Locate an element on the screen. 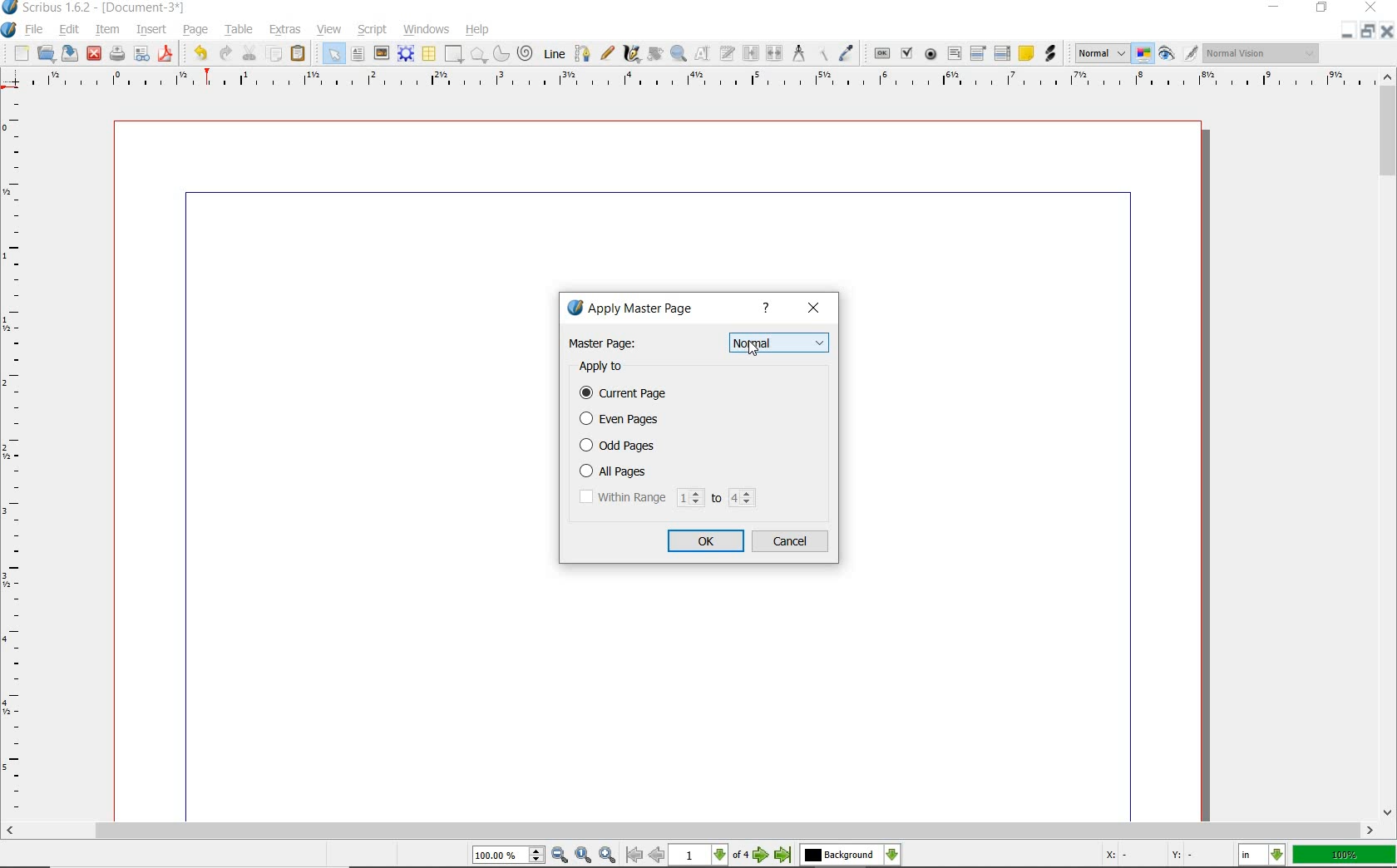 Image resolution: width=1397 pixels, height=868 pixels. help is located at coordinates (769, 309).